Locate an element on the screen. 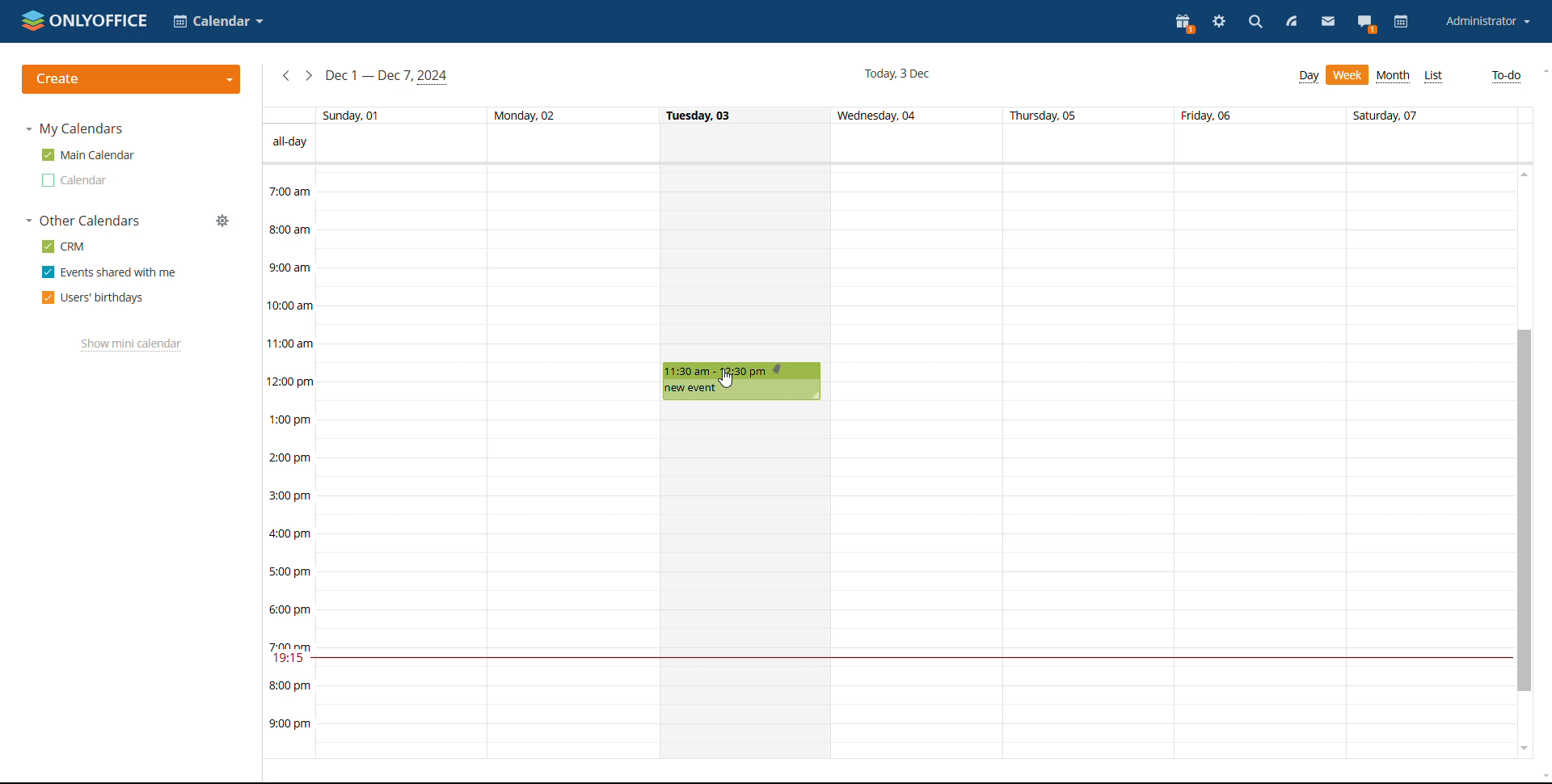 The image size is (1552, 784). scroll up is located at coordinates (1542, 70).